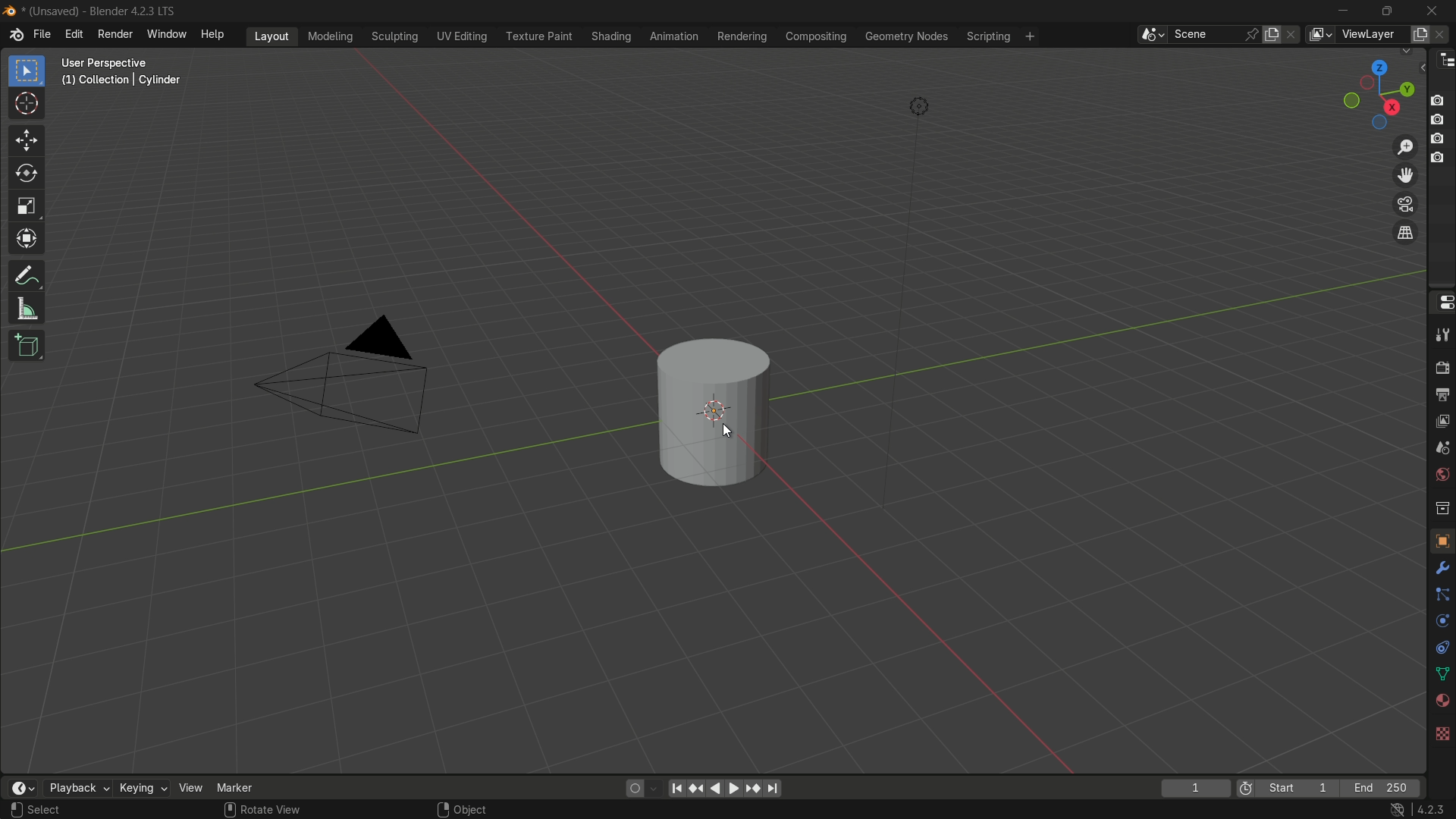  I want to click on rotate, so click(27, 175).